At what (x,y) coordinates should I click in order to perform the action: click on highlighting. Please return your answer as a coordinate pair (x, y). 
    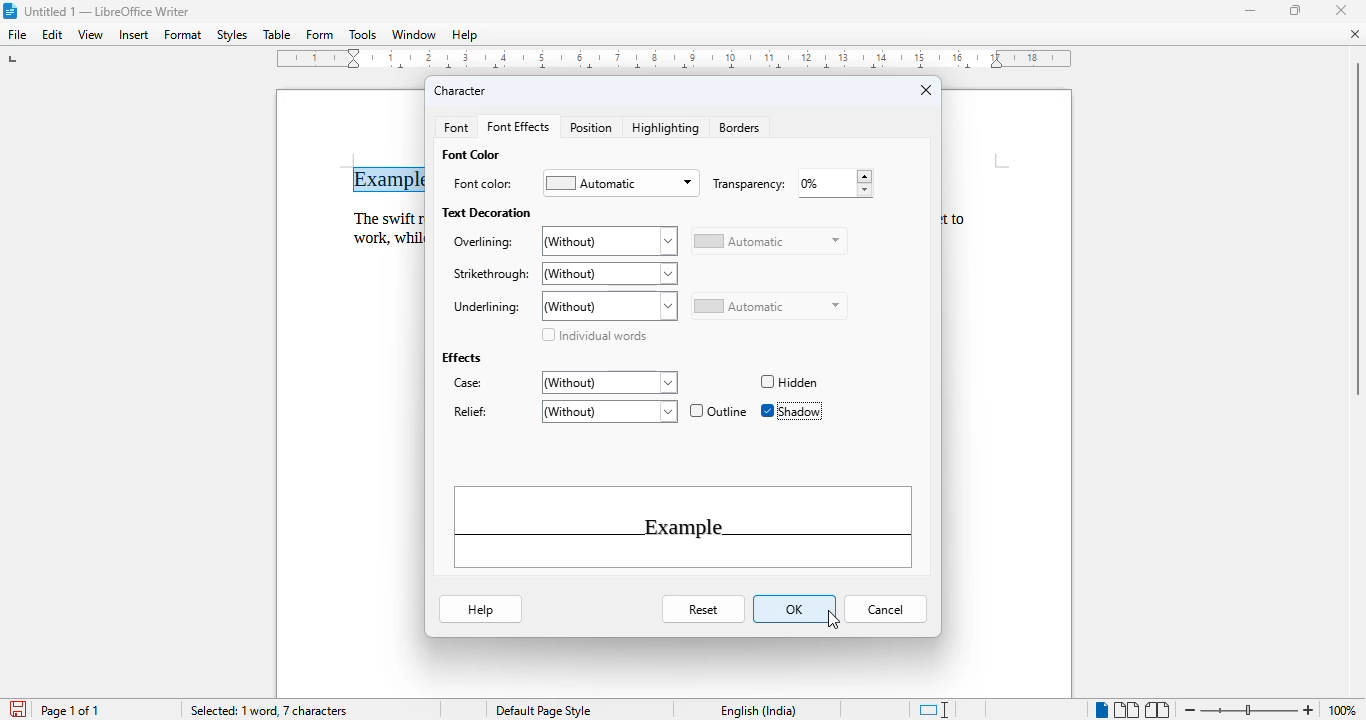
    Looking at the image, I should click on (667, 128).